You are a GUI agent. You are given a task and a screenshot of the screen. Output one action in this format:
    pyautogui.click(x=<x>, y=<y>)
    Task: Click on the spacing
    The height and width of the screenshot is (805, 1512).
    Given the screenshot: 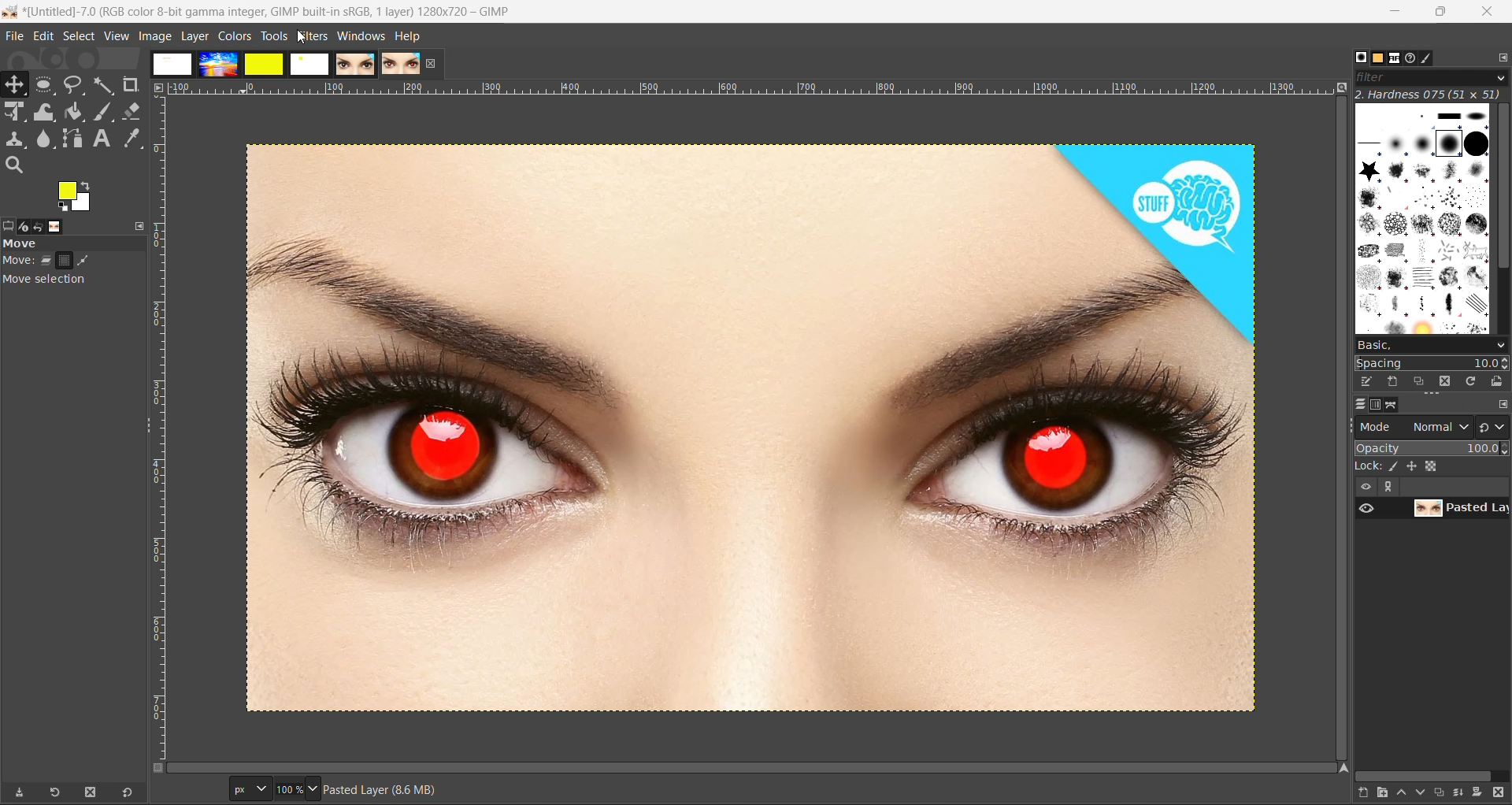 What is the action you would take?
    pyautogui.click(x=1433, y=365)
    